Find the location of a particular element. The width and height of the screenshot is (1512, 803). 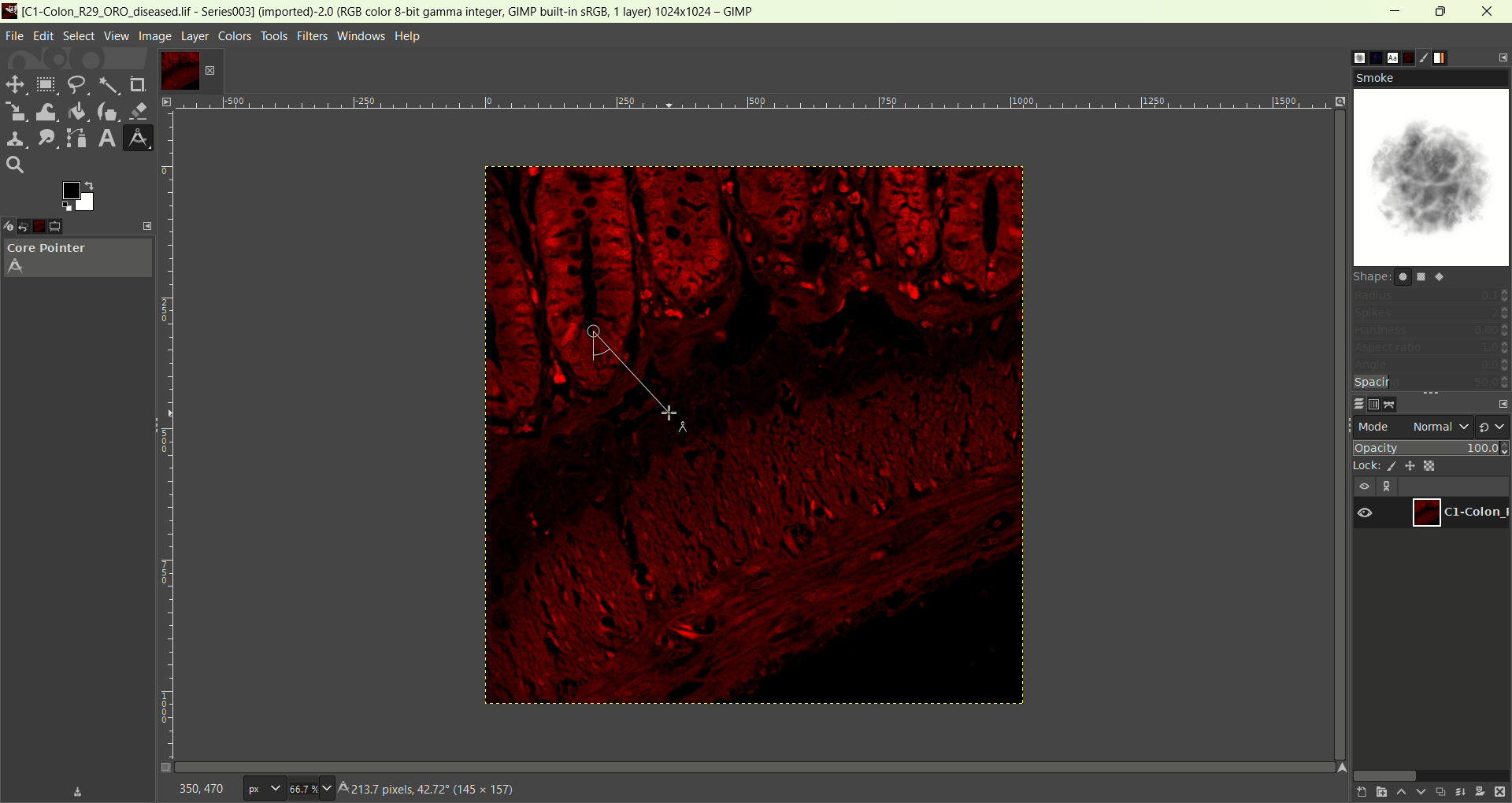

smoke is located at coordinates (1431, 167).